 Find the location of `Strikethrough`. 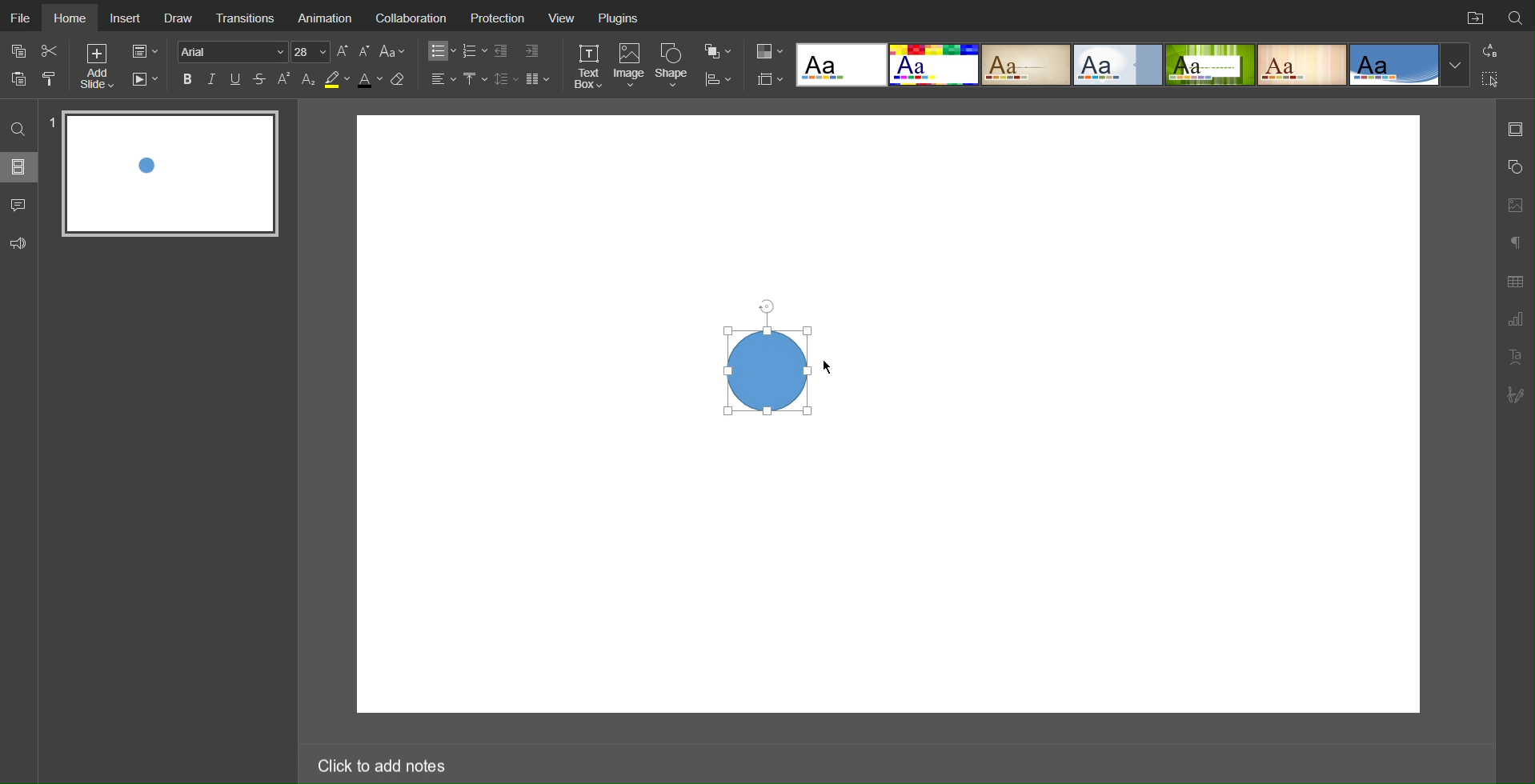

Strikethrough is located at coordinates (260, 79).